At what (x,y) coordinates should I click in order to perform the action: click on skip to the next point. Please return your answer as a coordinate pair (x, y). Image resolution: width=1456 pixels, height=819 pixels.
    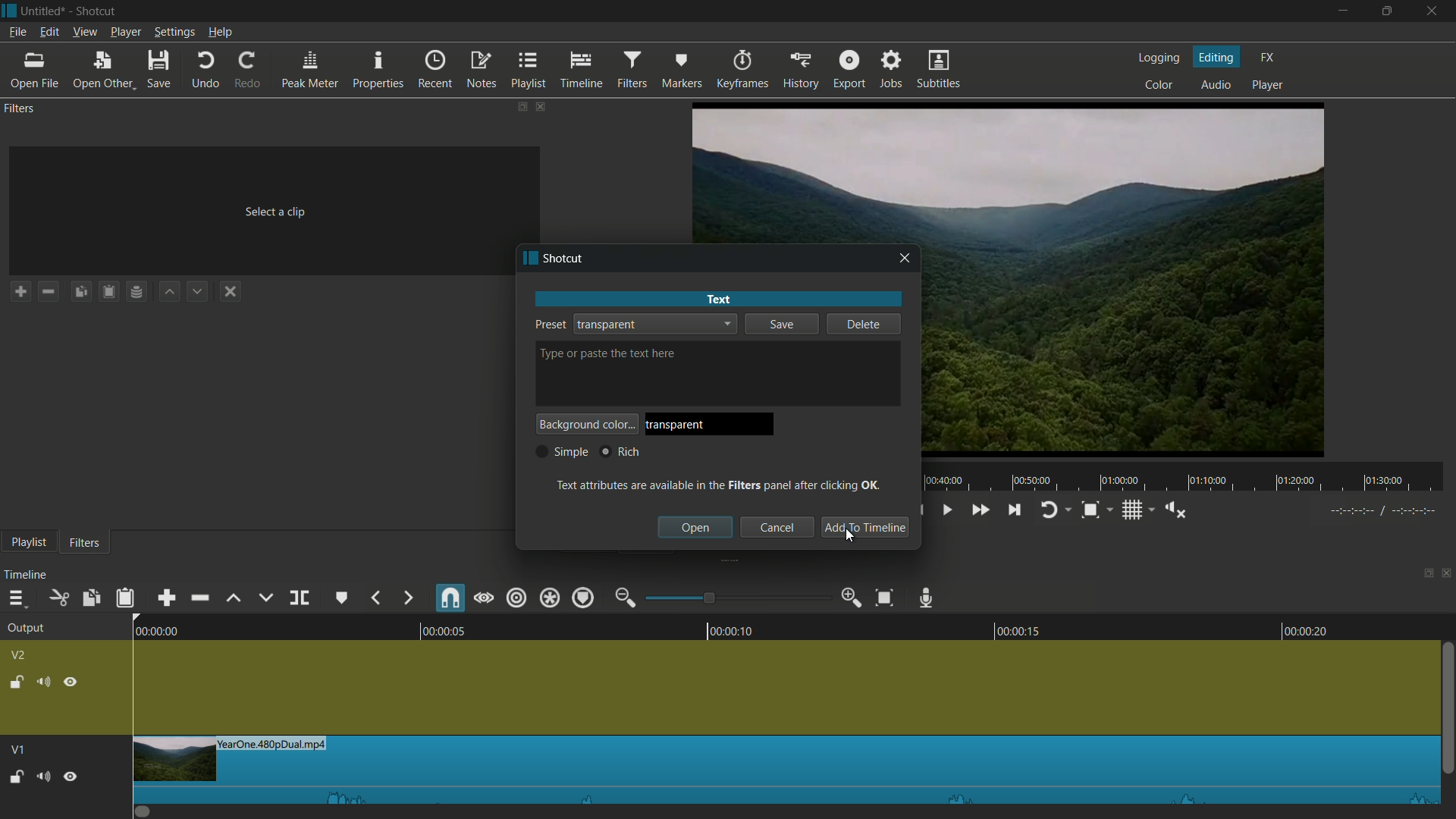
    Looking at the image, I should click on (1015, 510).